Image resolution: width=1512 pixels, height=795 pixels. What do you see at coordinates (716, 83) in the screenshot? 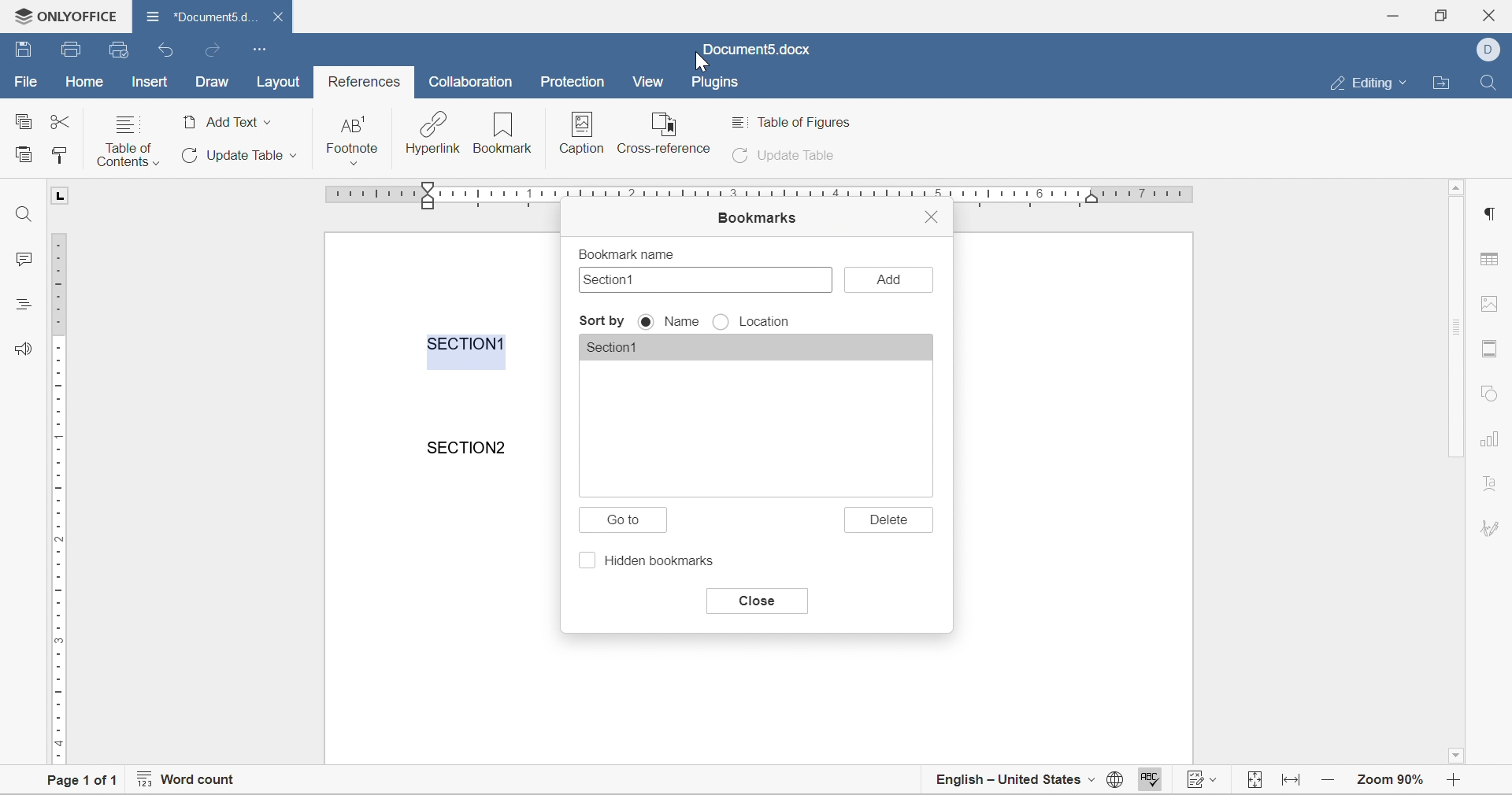
I see `plugins` at bounding box center [716, 83].